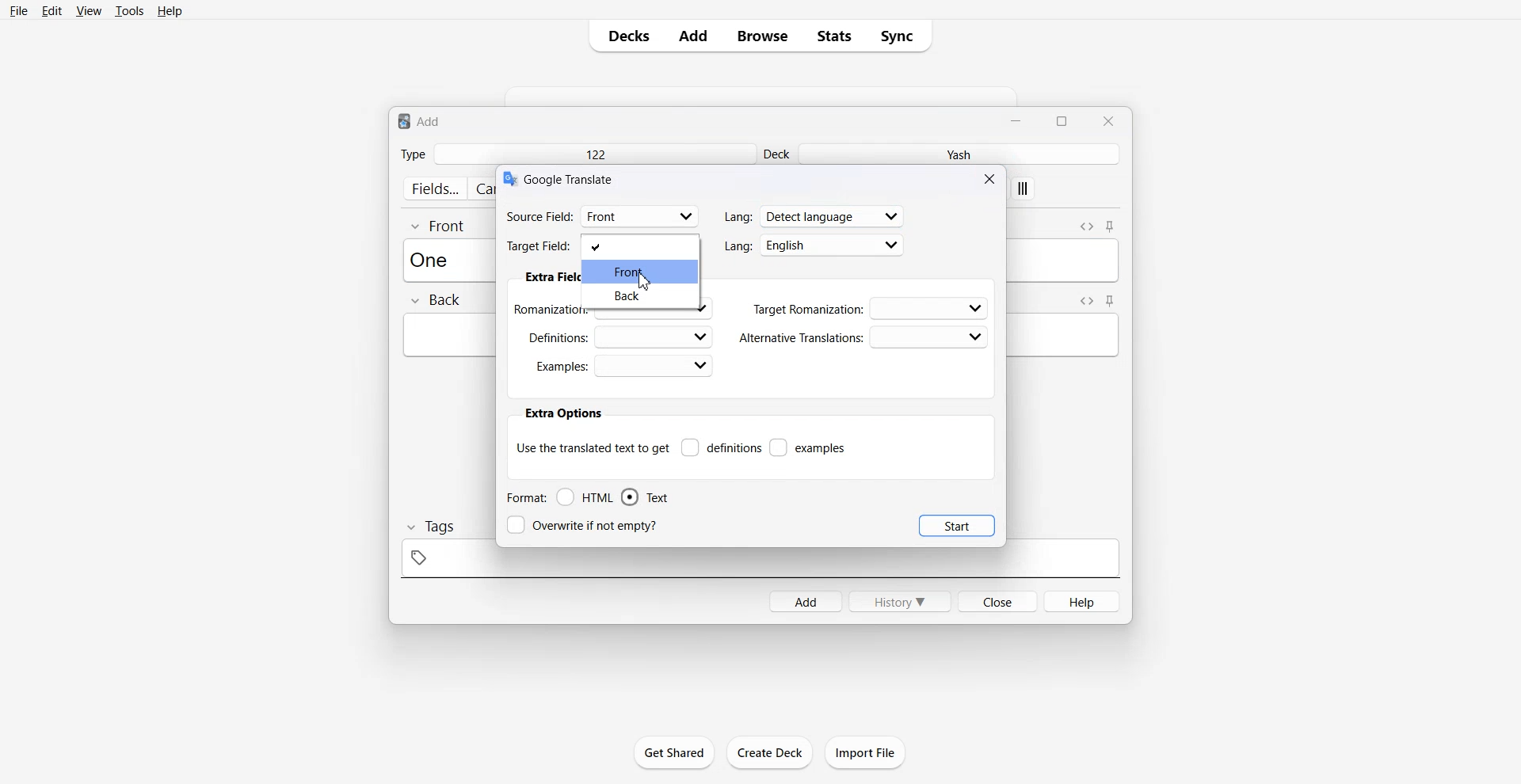  What do you see at coordinates (760, 563) in the screenshot?
I see `tag space` at bounding box center [760, 563].